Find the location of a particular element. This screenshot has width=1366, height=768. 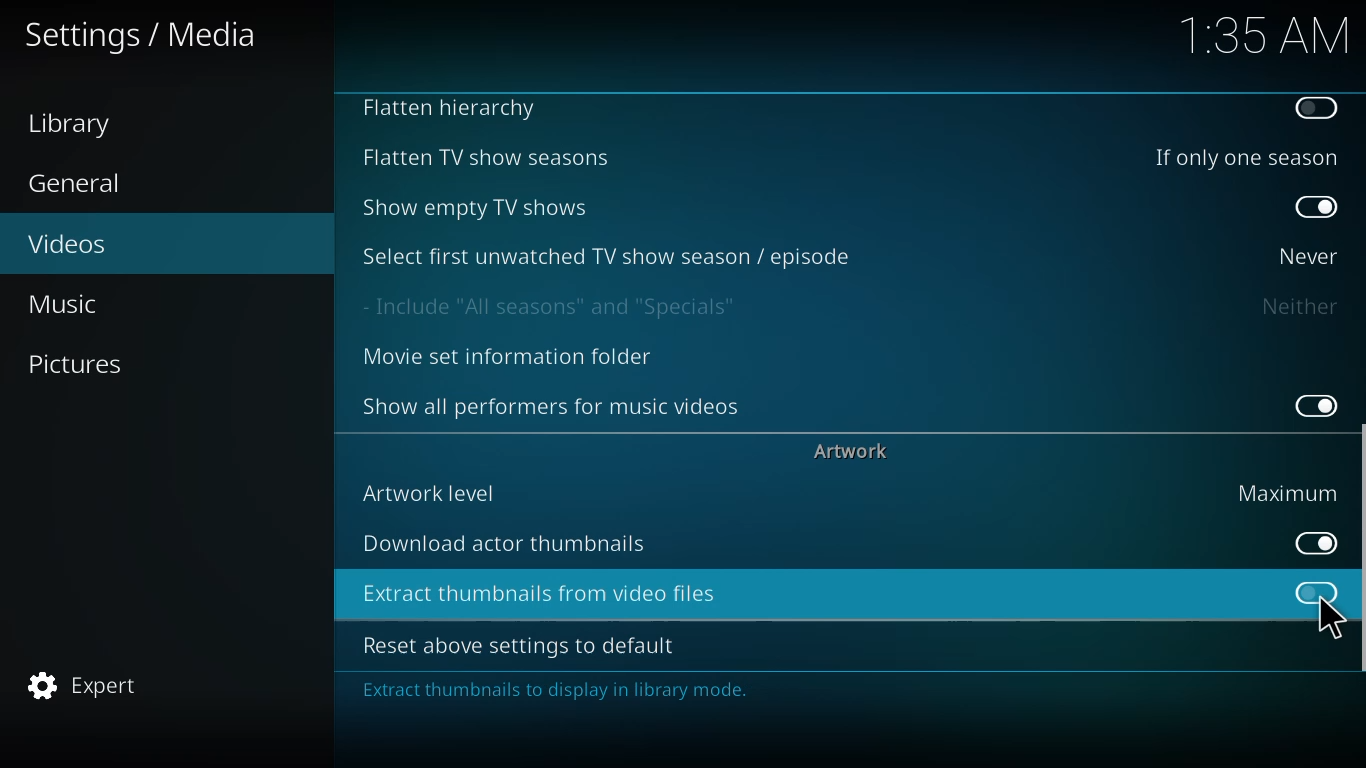

flatten hierarchy is located at coordinates (455, 110).